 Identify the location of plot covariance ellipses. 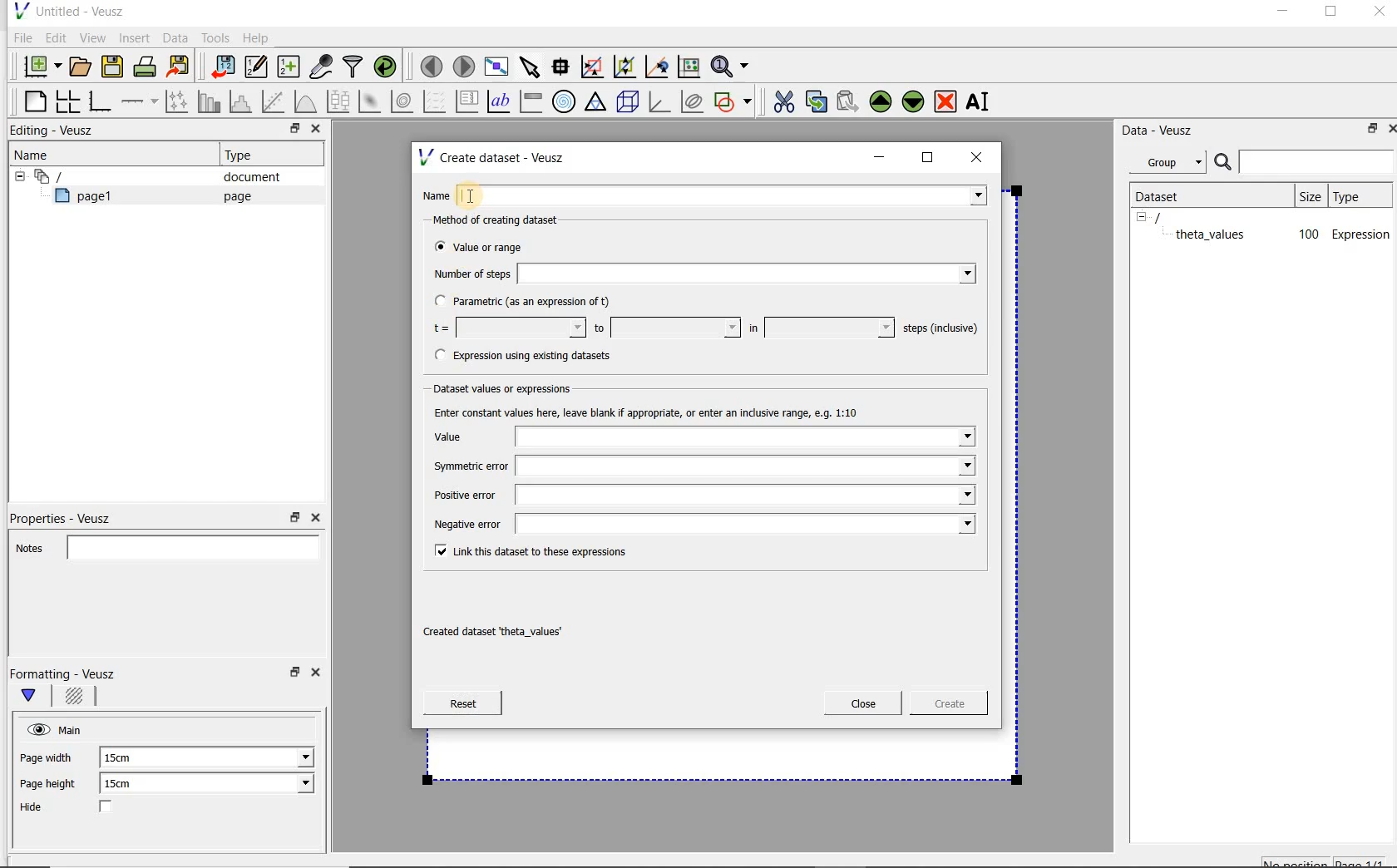
(693, 101).